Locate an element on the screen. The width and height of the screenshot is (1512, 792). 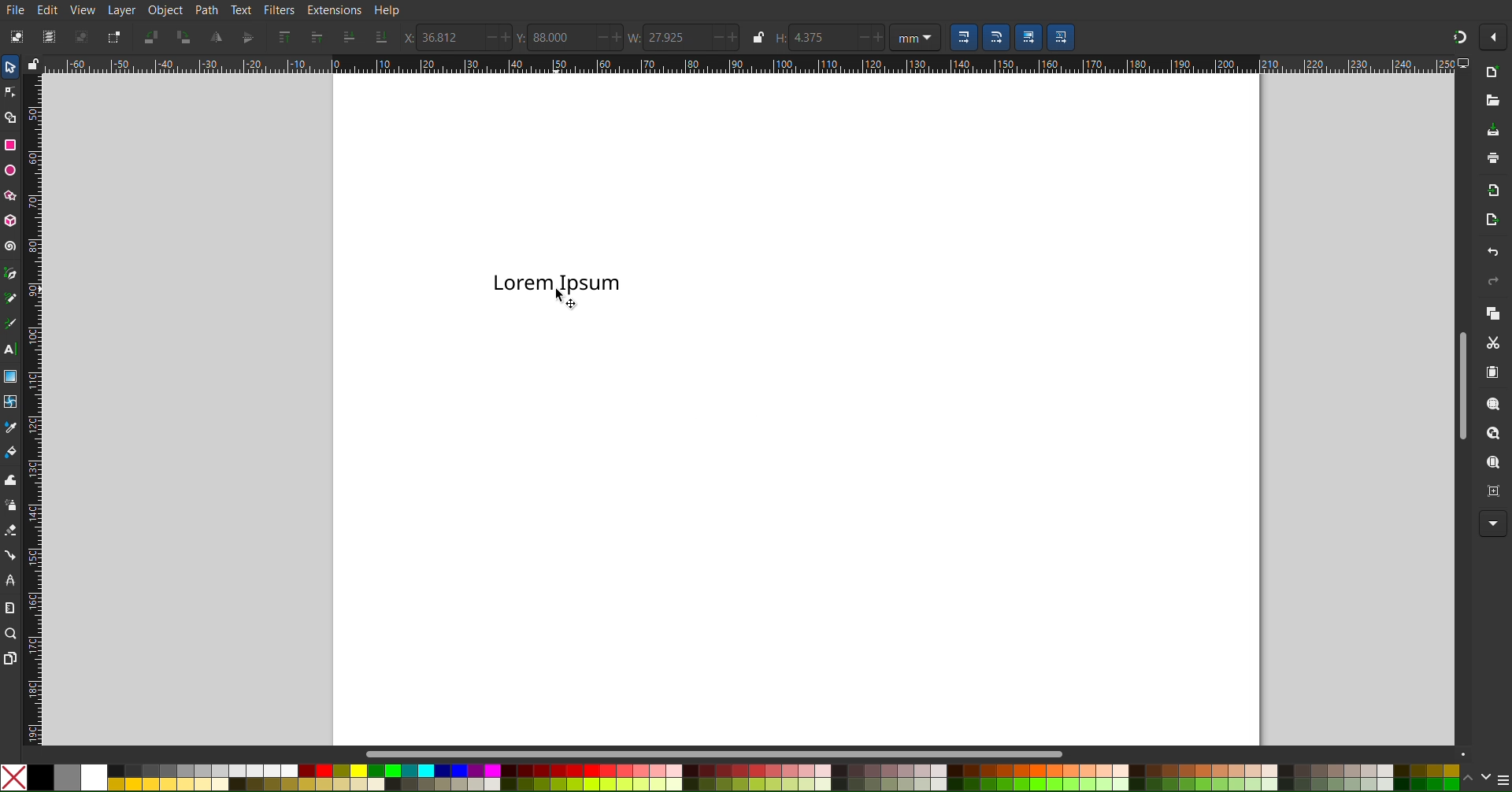
Vertical Ruler is located at coordinates (32, 409).